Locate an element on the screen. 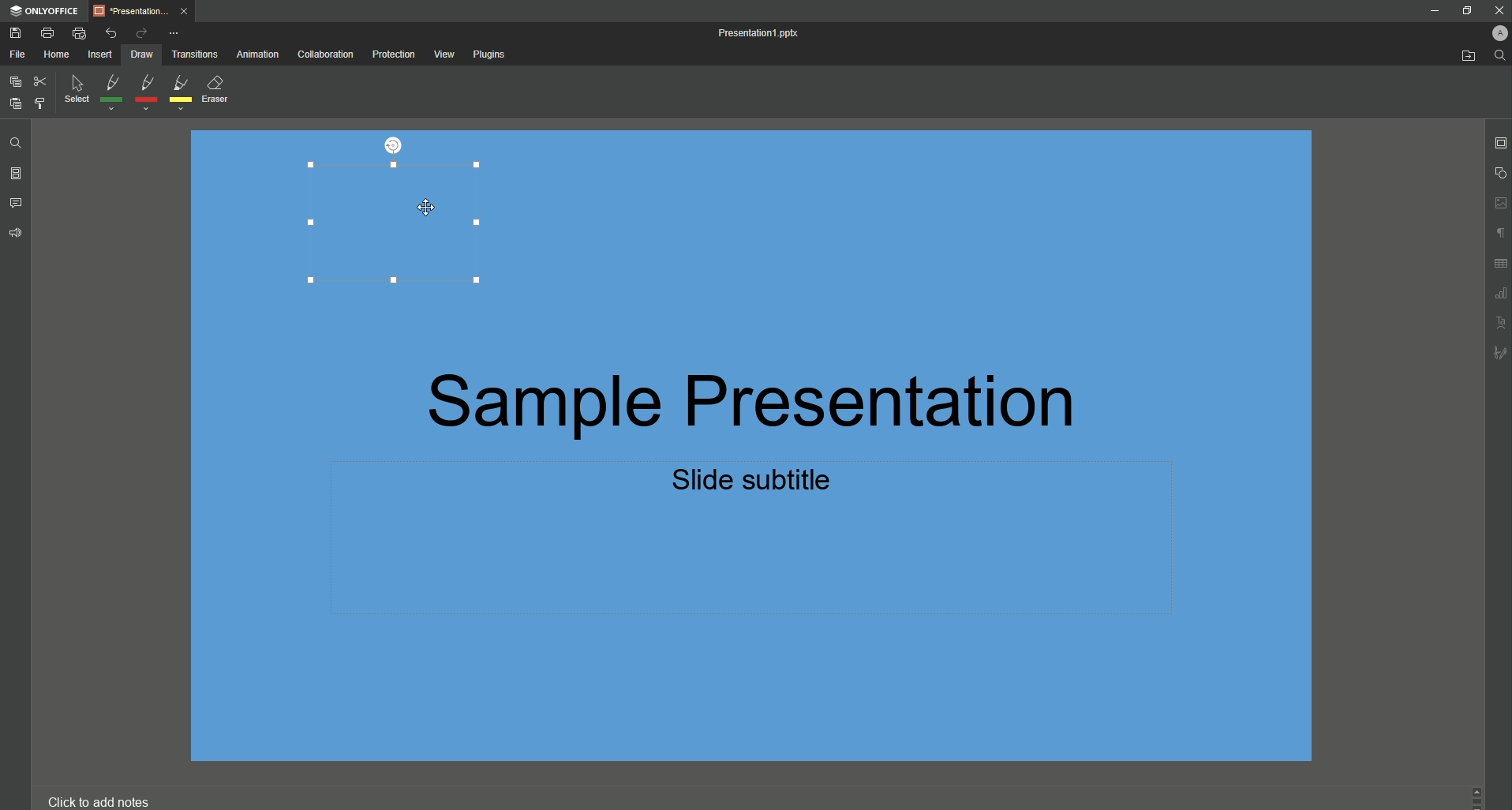 This screenshot has height=810, width=1512. Shape Settings is located at coordinates (1497, 173).